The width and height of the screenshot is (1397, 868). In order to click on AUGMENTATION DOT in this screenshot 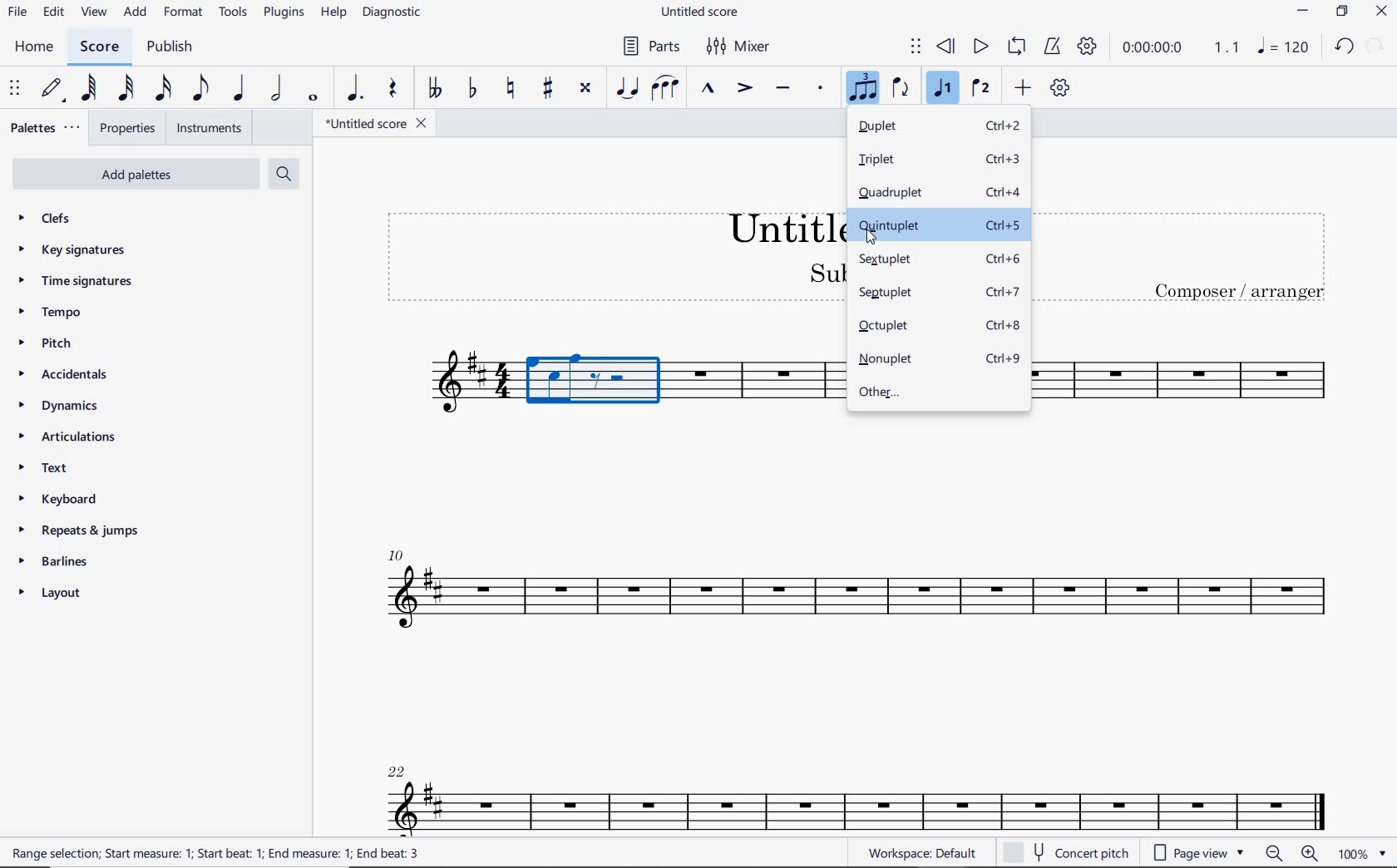, I will do `click(357, 89)`.